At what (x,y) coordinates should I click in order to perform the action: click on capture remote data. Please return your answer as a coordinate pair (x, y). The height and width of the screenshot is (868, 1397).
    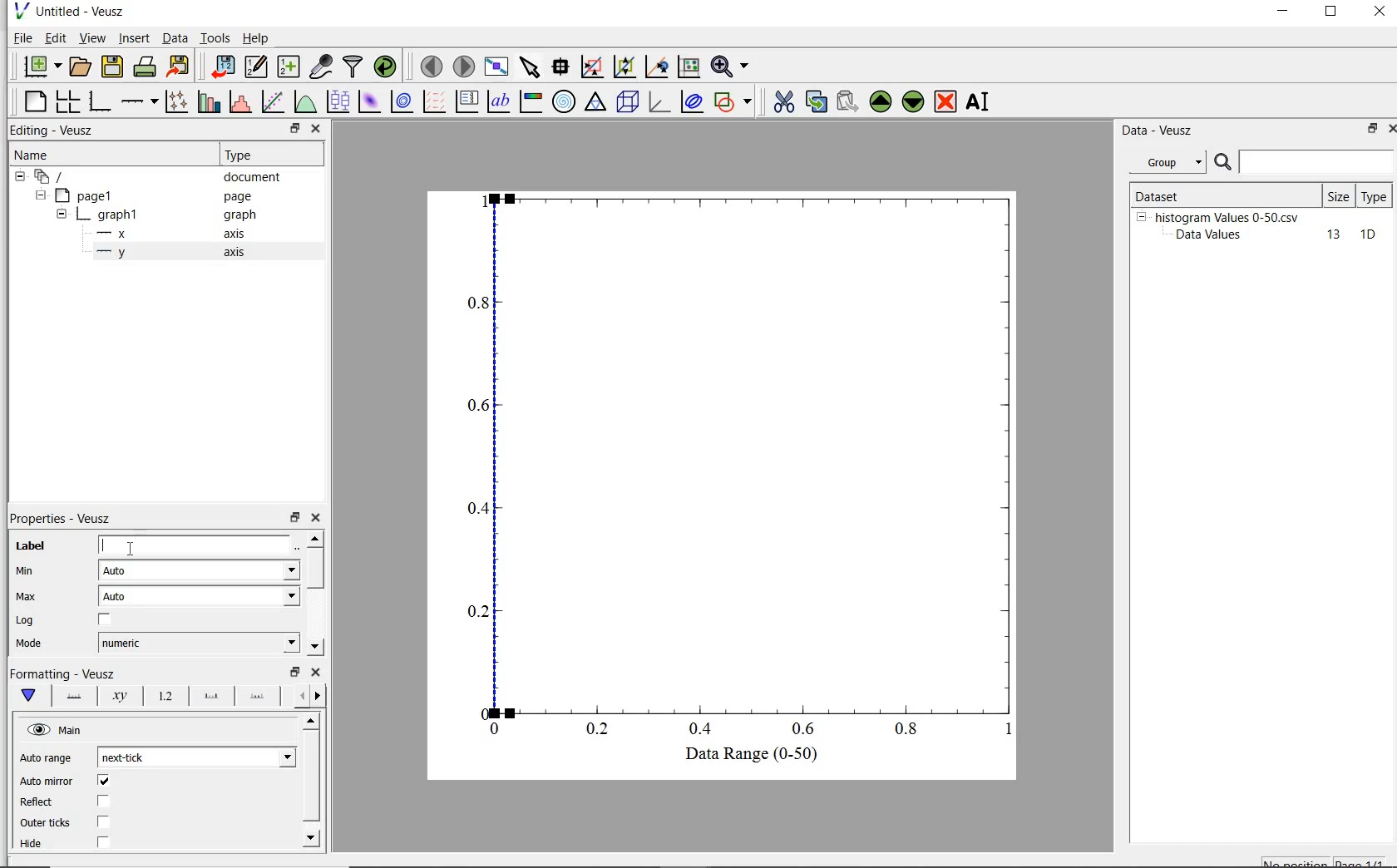
    Looking at the image, I should click on (321, 67).